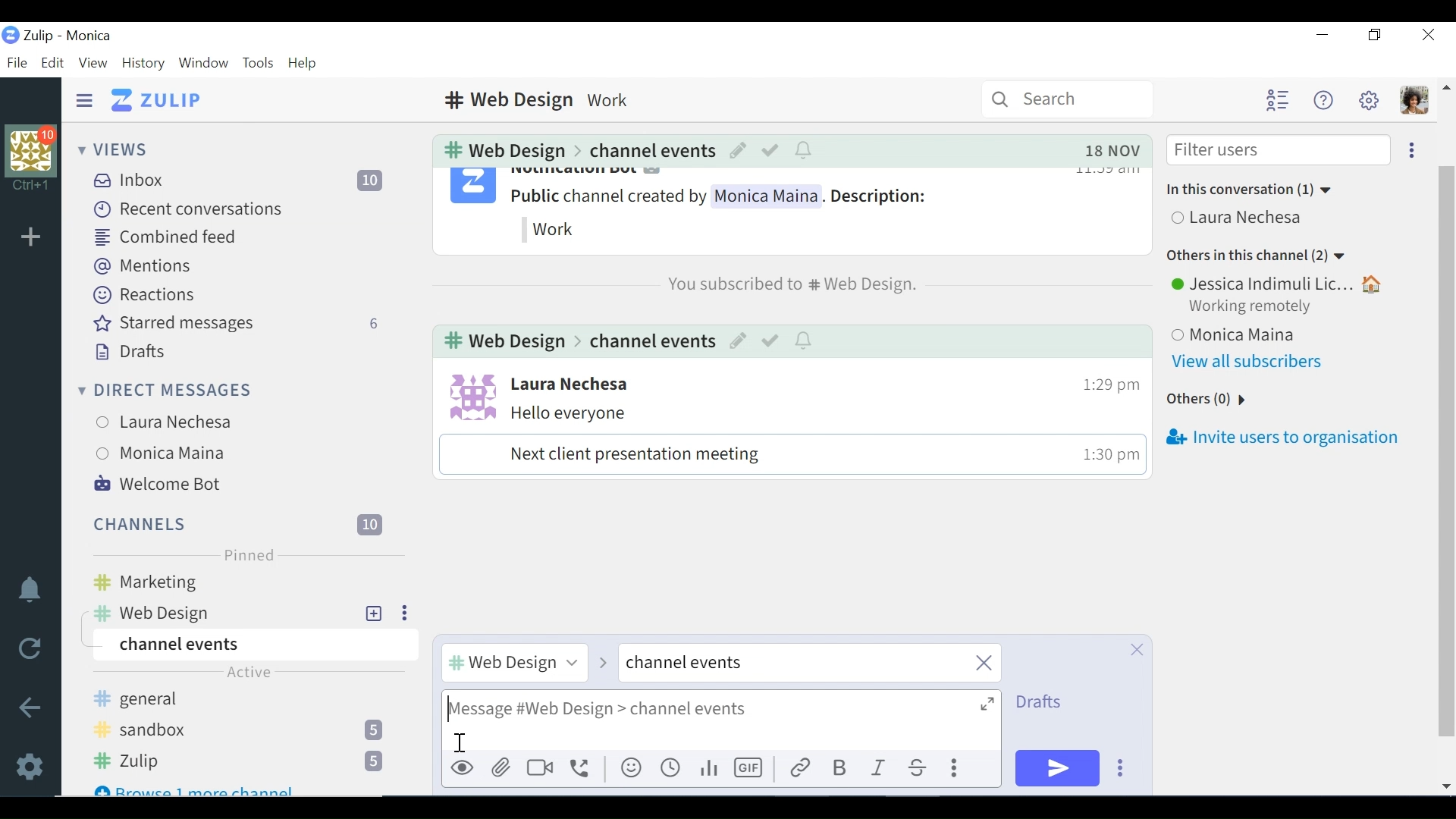 The height and width of the screenshot is (819, 1456). I want to click on Pinned label, so click(247, 555).